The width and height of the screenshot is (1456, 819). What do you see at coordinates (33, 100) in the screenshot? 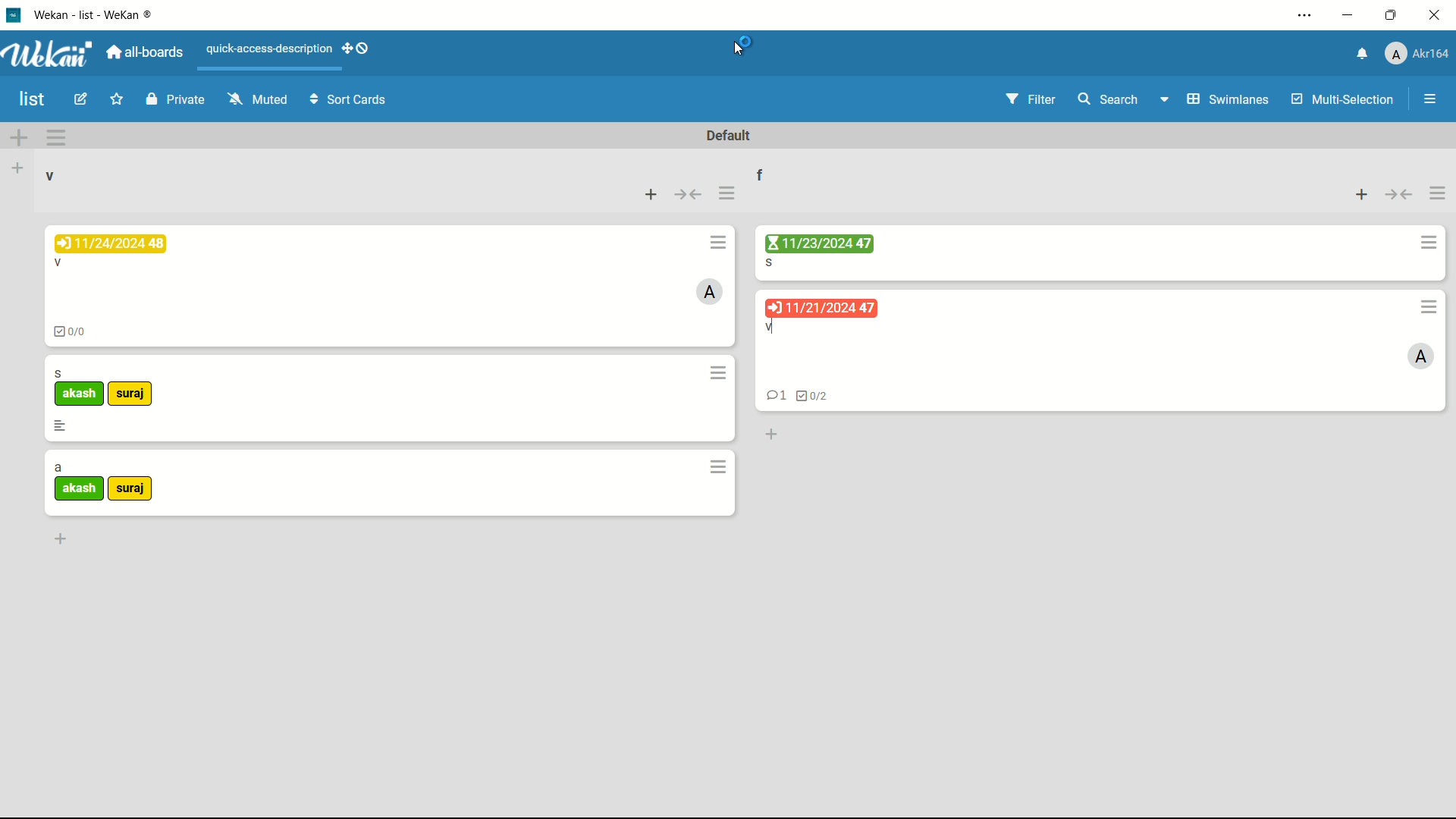
I see `board name` at bounding box center [33, 100].